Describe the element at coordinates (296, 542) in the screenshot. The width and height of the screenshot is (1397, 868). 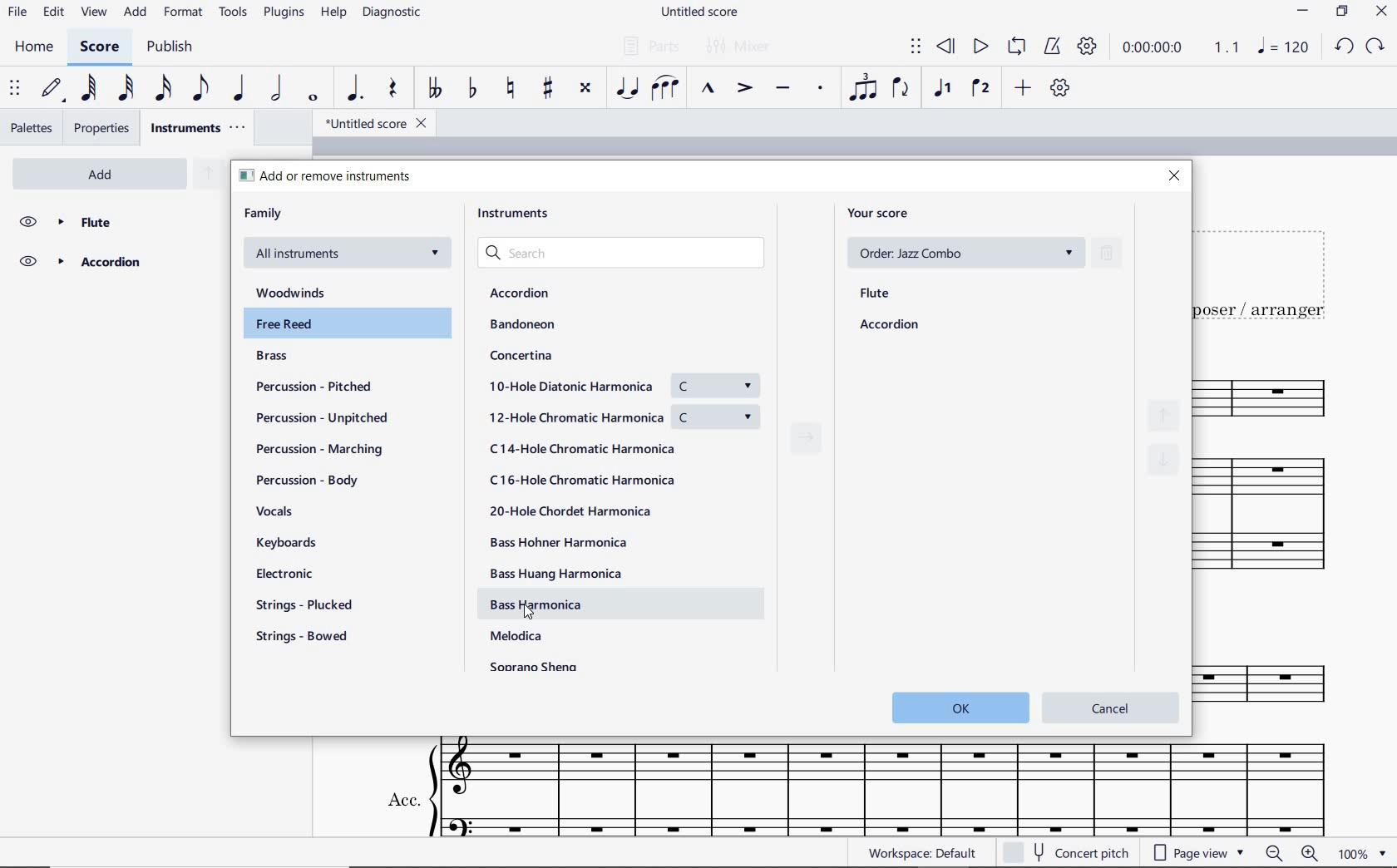
I see `keyboards` at that location.